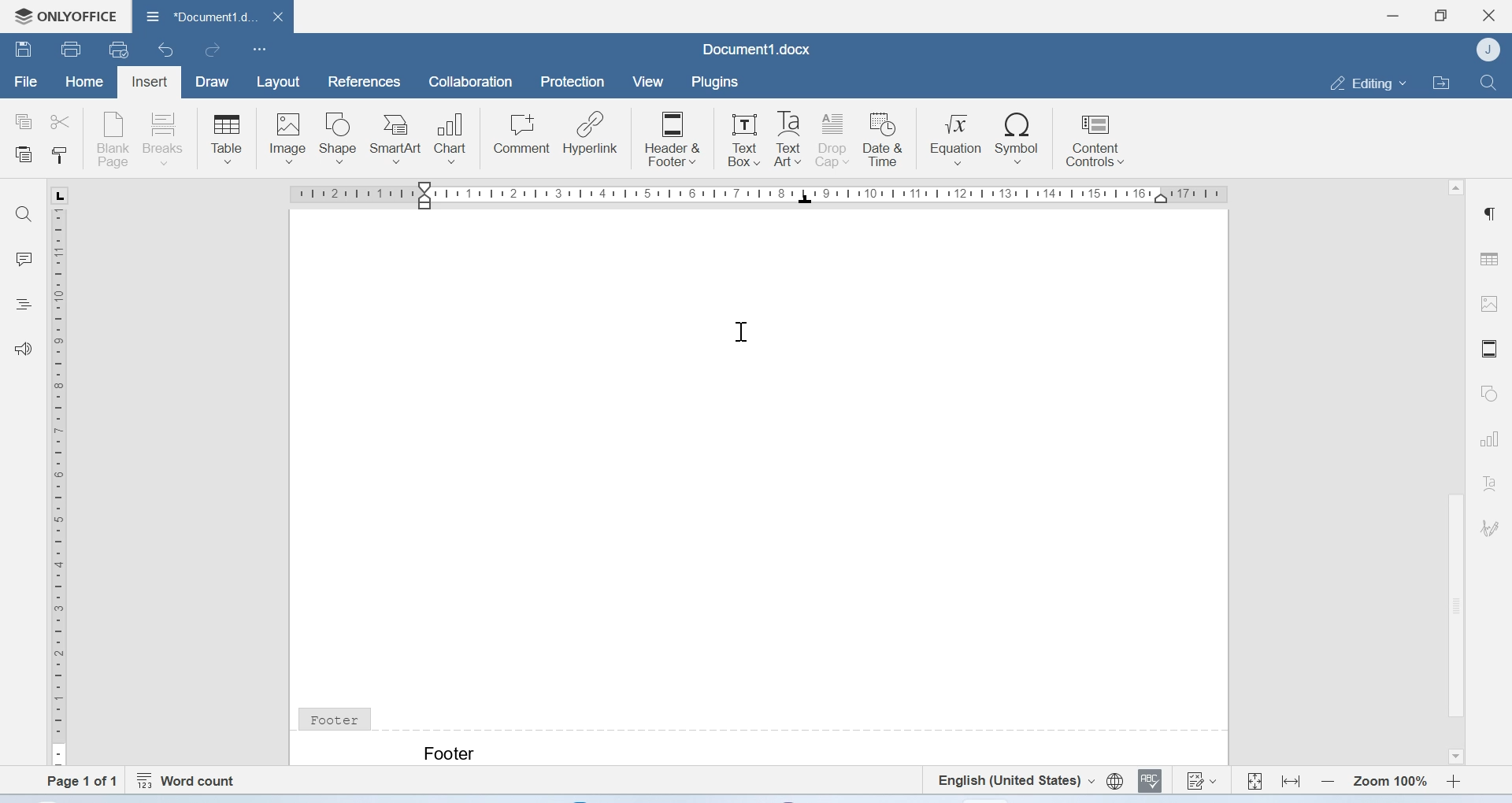 The height and width of the screenshot is (803, 1512). I want to click on Word count, so click(190, 778).